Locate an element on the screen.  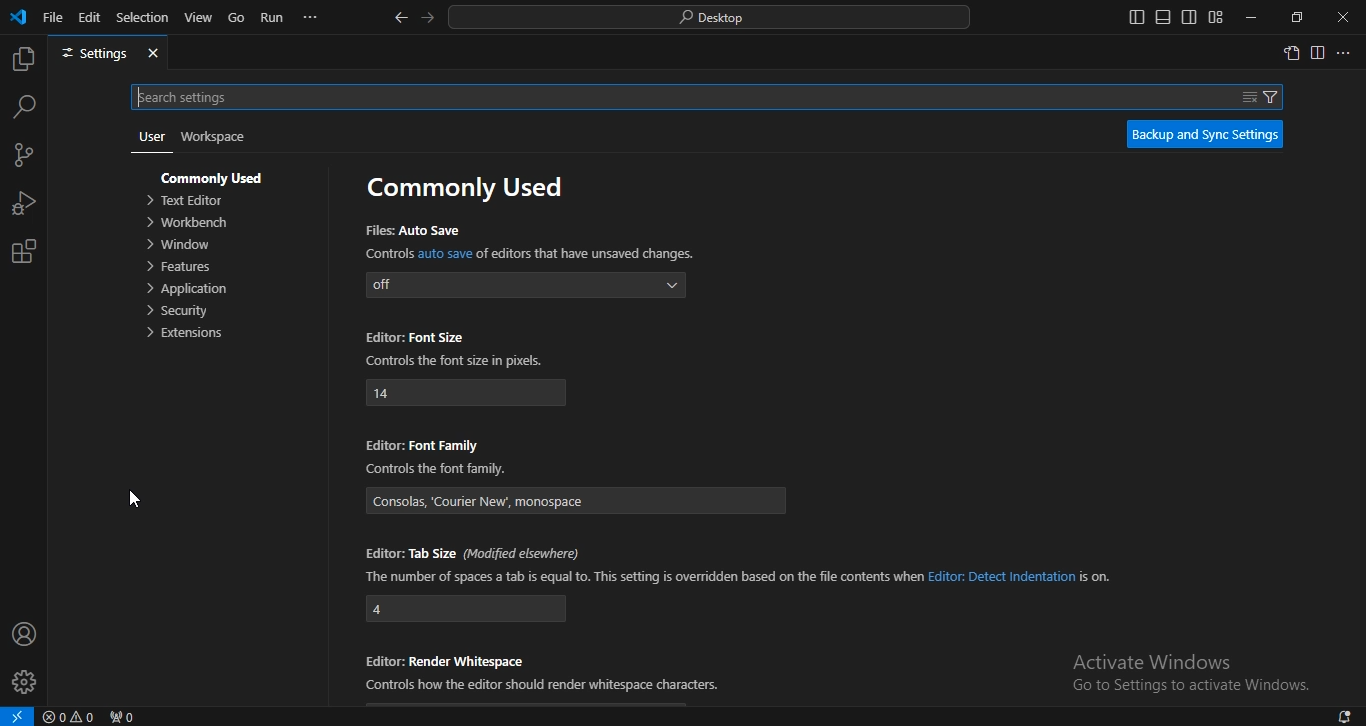
icon is located at coordinates (20, 19).